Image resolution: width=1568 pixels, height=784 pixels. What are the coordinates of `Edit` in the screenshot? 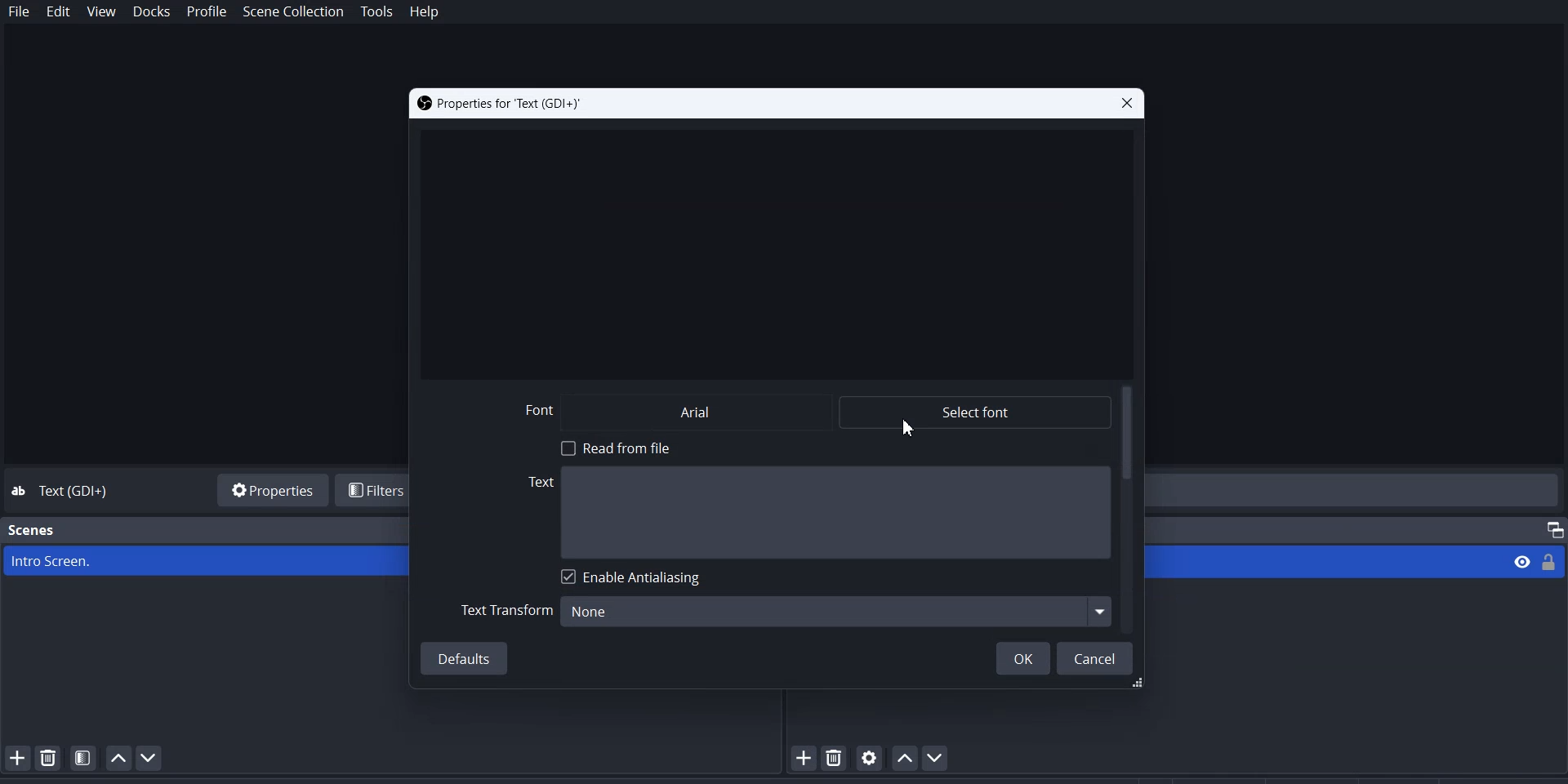 It's located at (59, 13).